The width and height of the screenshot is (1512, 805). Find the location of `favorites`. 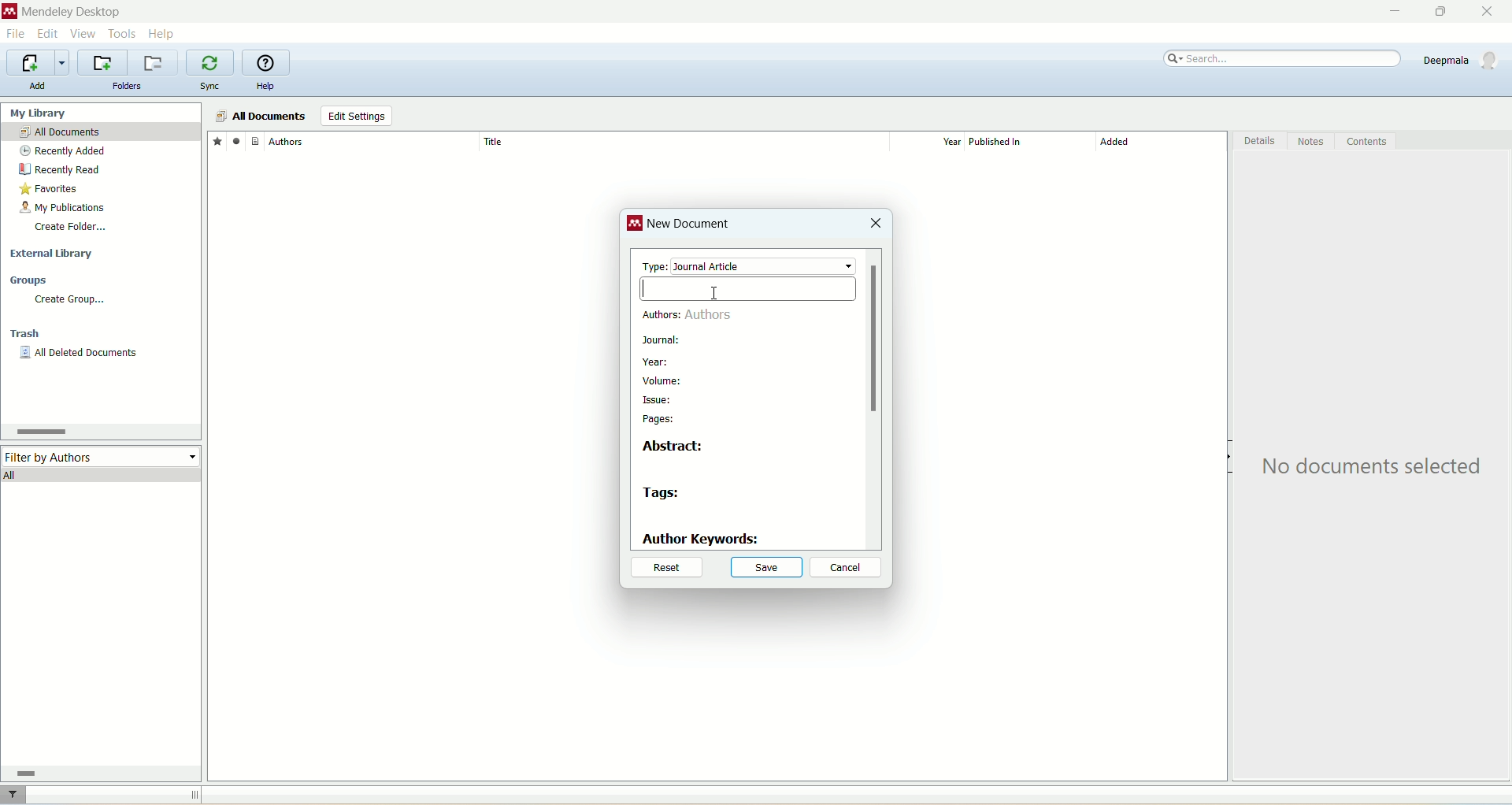

favorites is located at coordinates (50, 191).